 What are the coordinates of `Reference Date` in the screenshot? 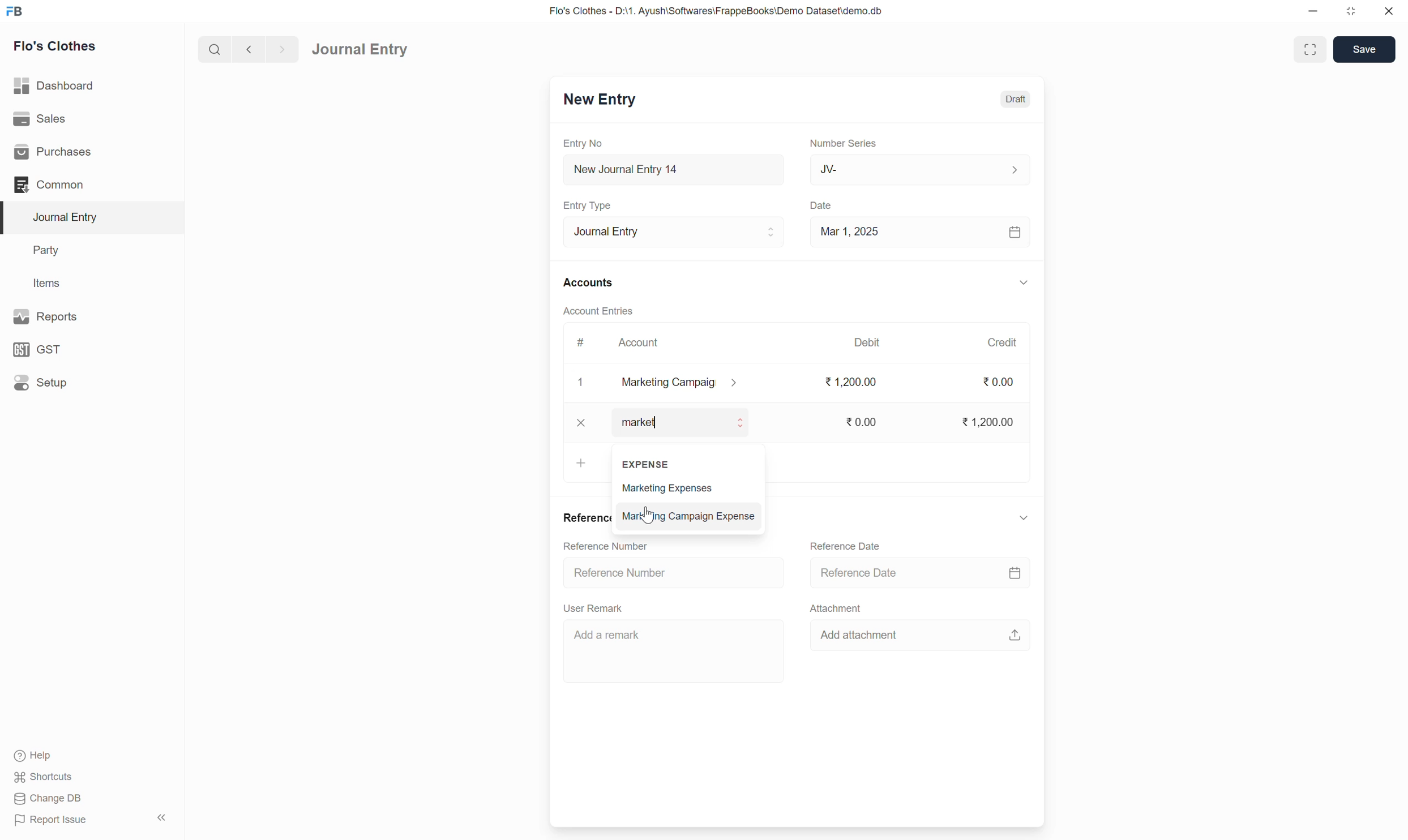 It's located at (862, 574).